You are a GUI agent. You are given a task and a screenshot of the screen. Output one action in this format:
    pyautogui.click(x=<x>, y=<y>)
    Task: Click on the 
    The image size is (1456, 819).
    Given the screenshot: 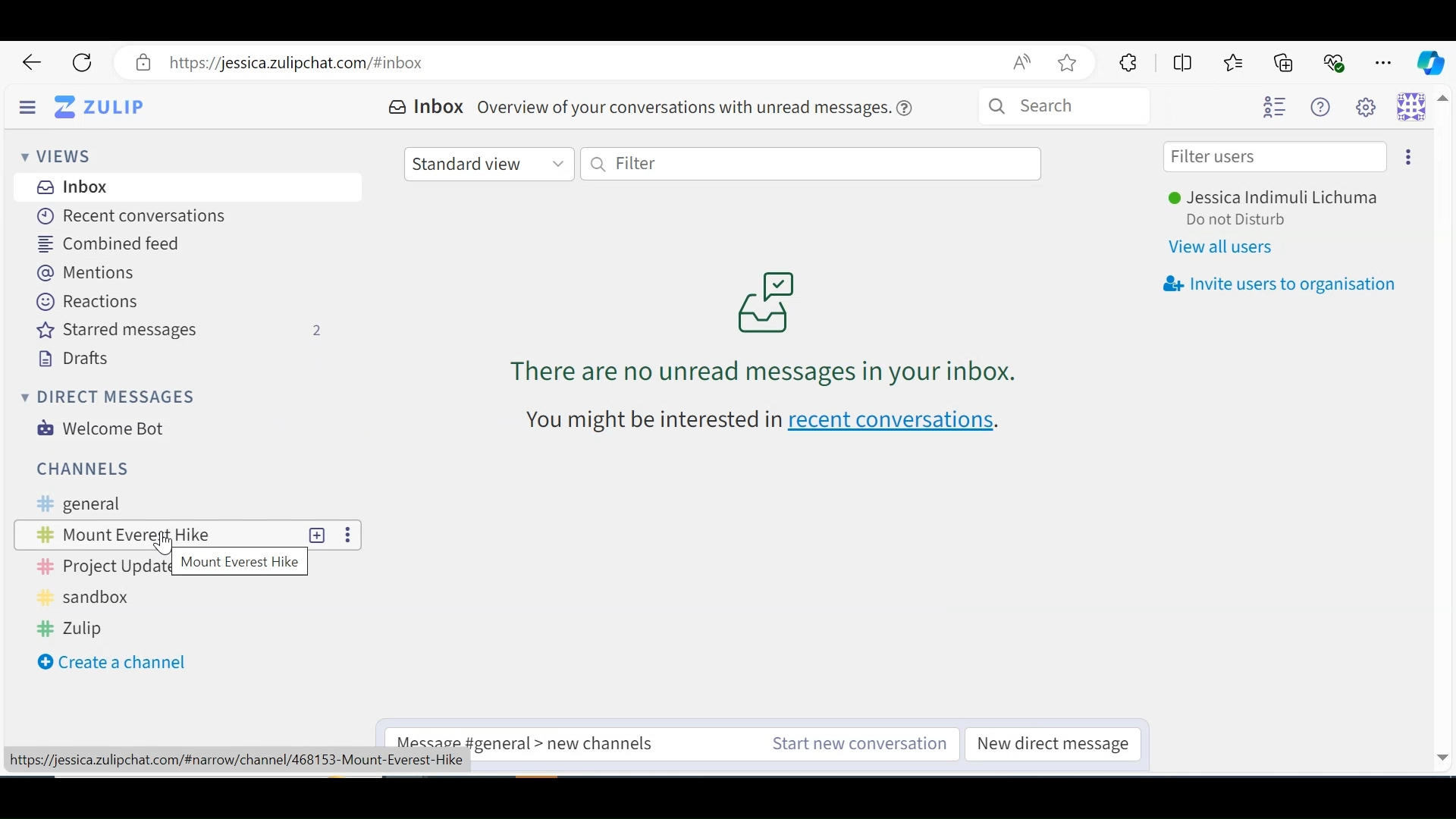 What is the action you would take?
    pyautogui.click(x=1436, y=61)
    